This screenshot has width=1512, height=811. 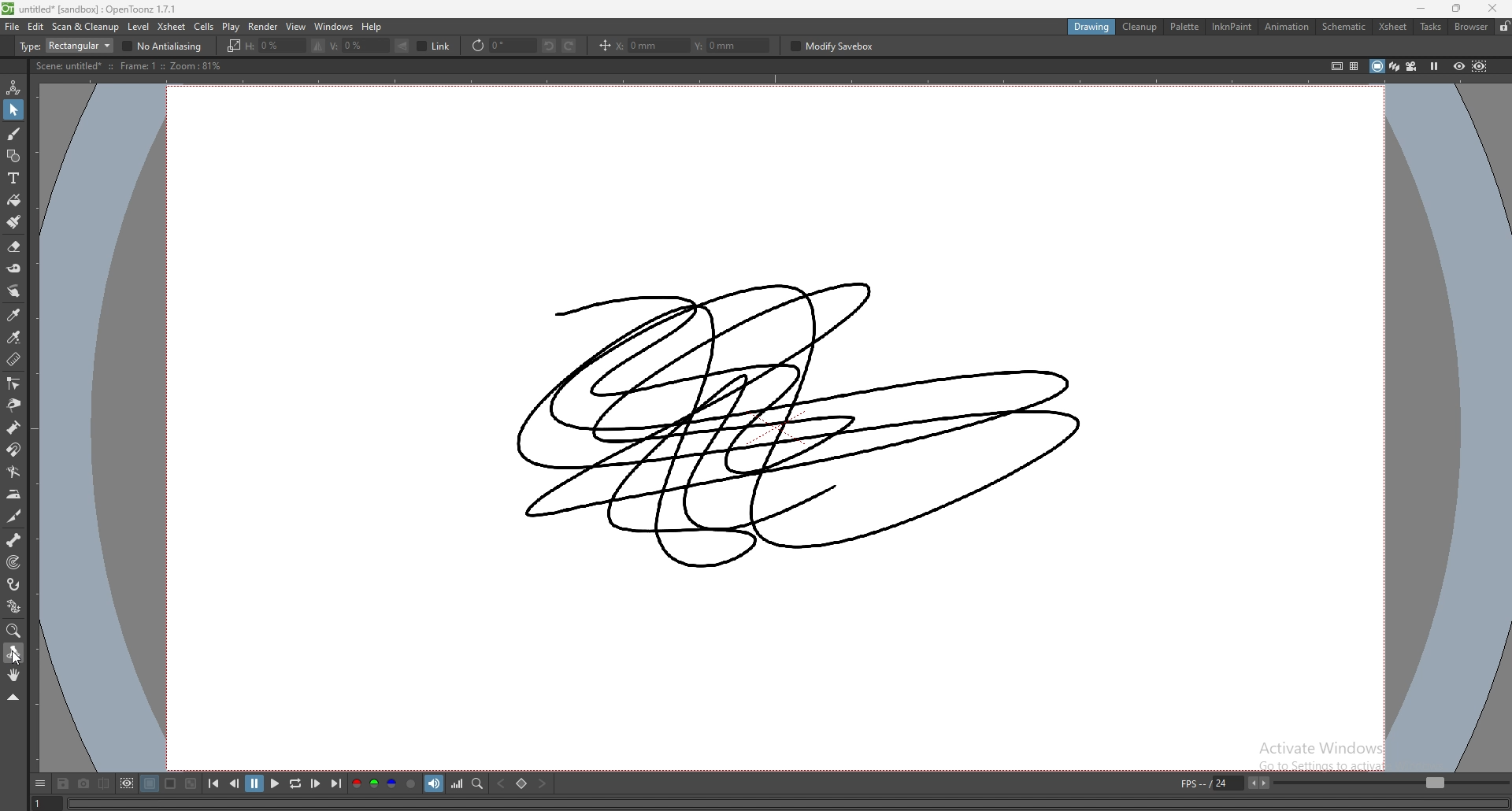 What do you see at coordinates (456, 785) in the screenshot?
I see `histogram` at bounding box center [456, 785].